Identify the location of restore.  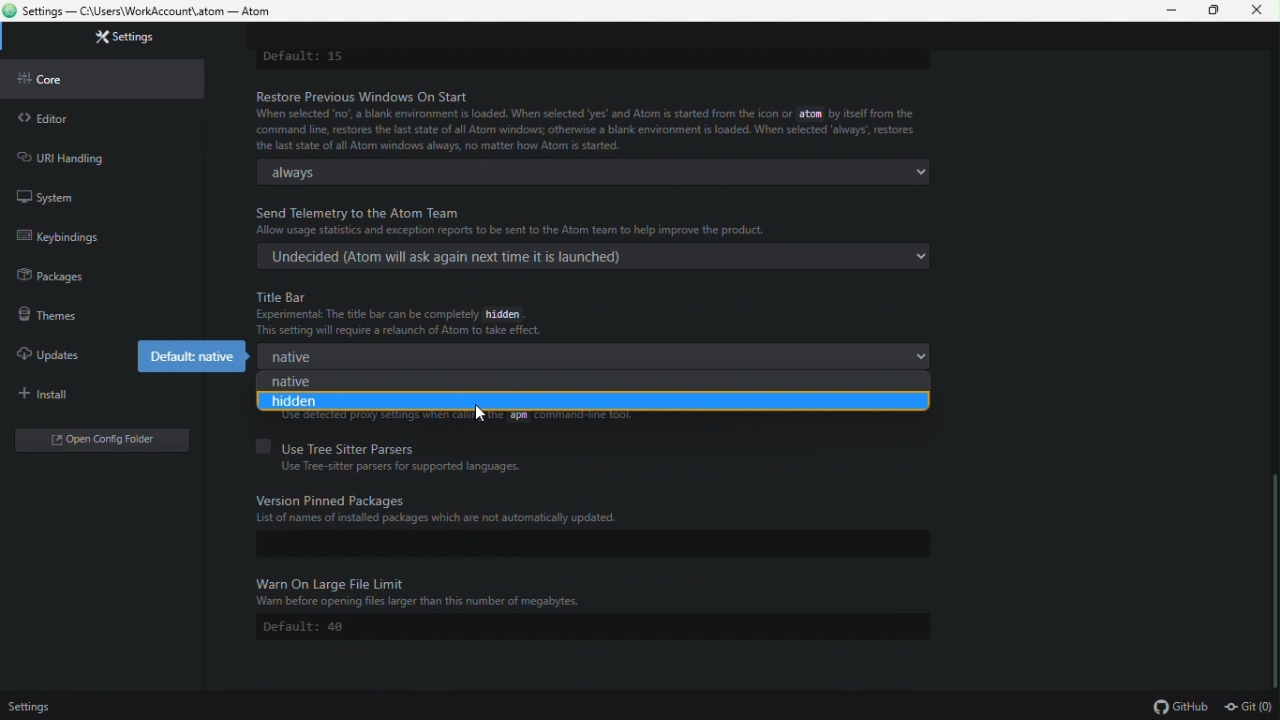
(1215, 11).